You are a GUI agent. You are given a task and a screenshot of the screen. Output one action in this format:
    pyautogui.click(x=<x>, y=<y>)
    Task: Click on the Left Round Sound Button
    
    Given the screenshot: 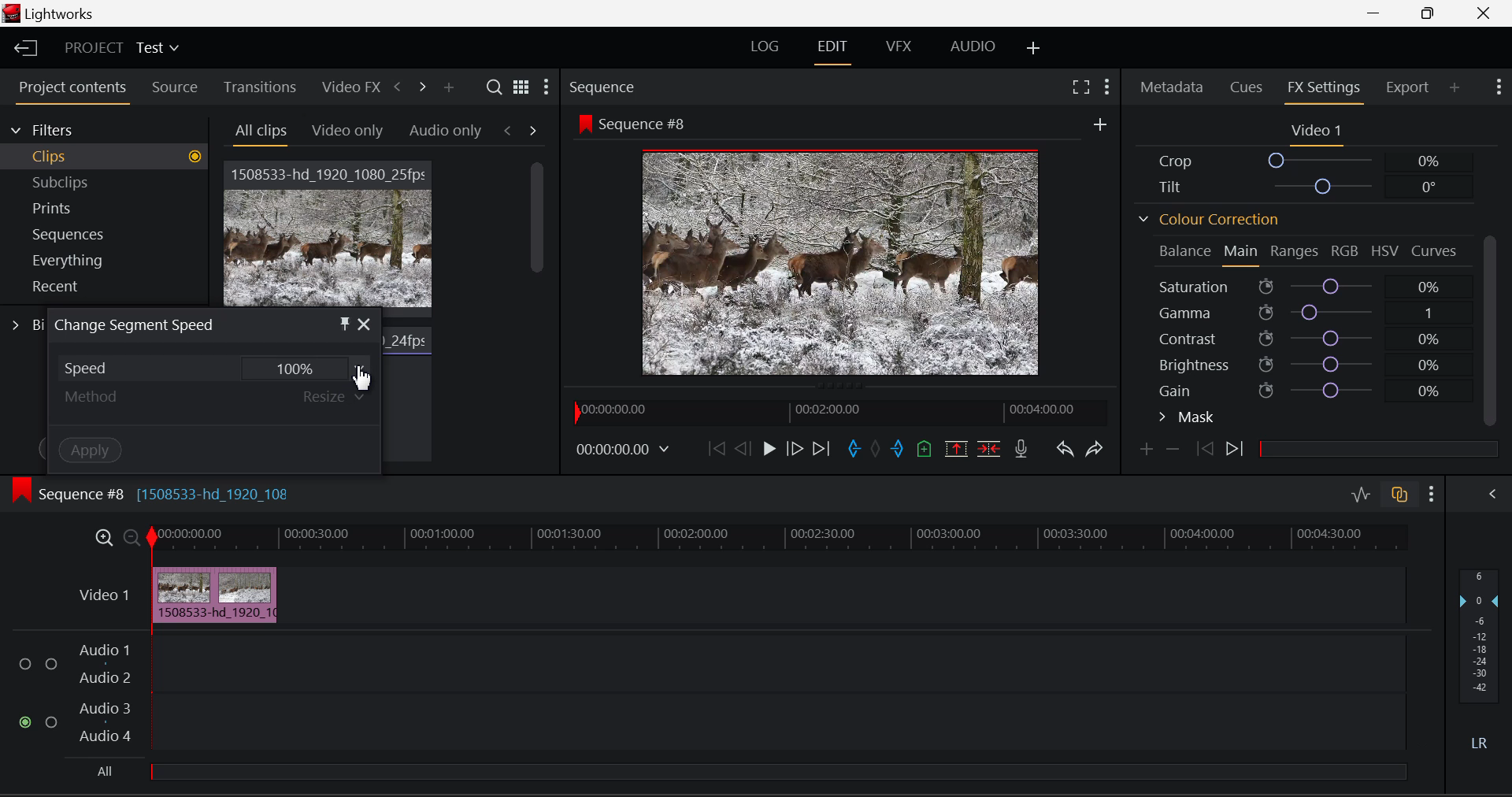 What is the action you would take?
    pyautogui.click(x=1477, y=743)
    